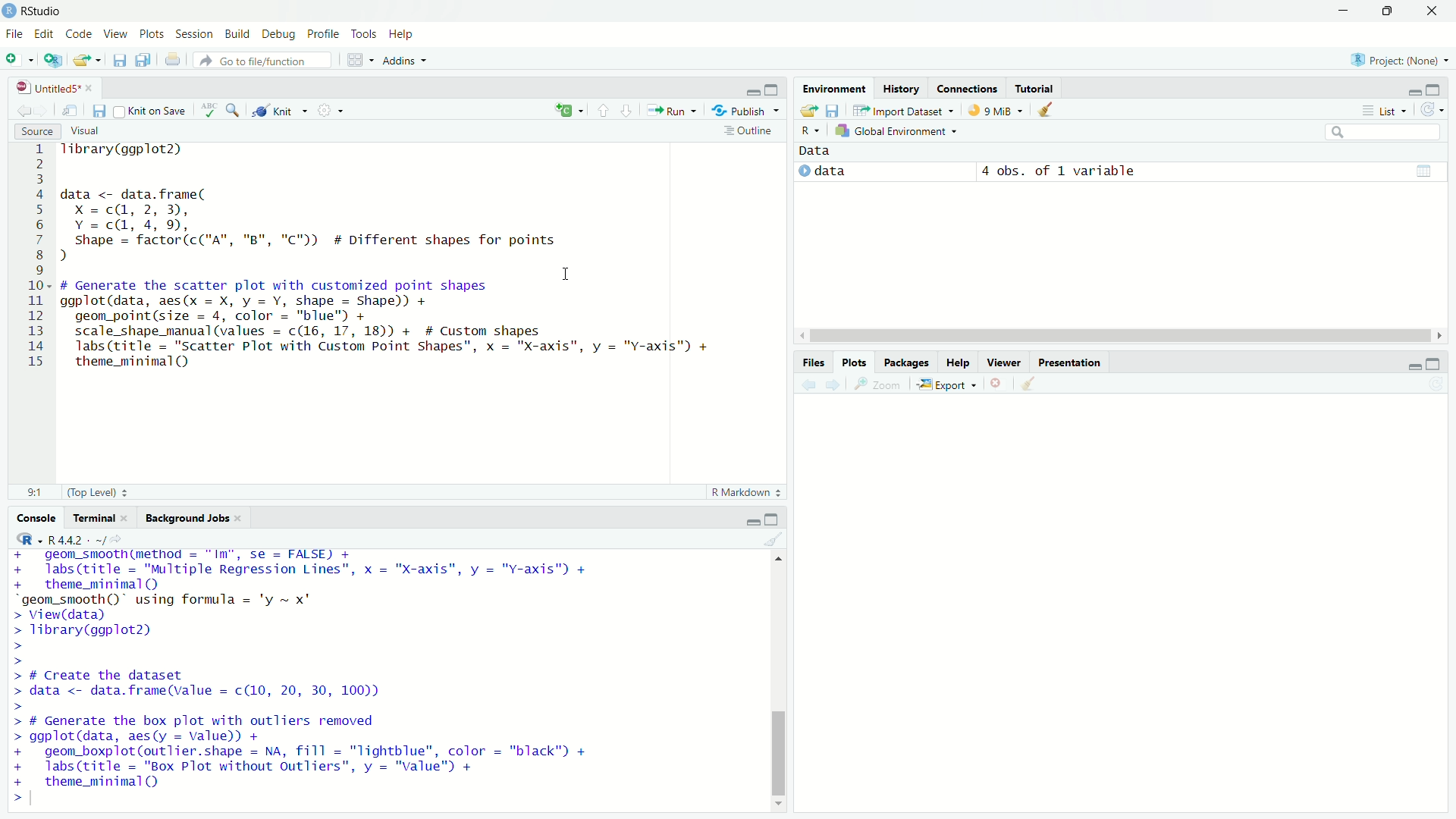 The image size is (1456, 819). What do you see at coordinates (779, 682) in the screenshot?
I see `vertical scroll bar` at bounding box center [779, 682].